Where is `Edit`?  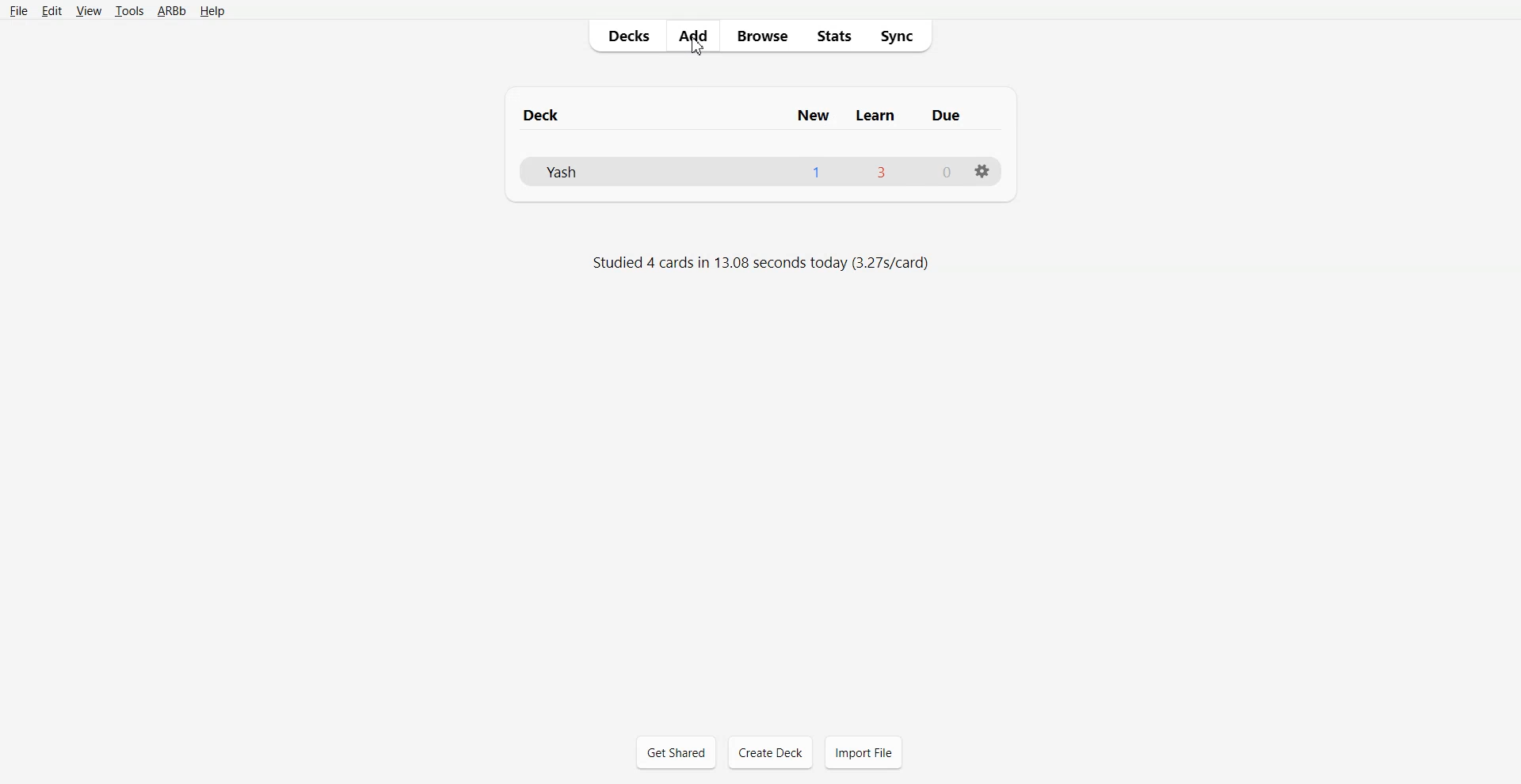 Edit is located at coordinates (51, 11).